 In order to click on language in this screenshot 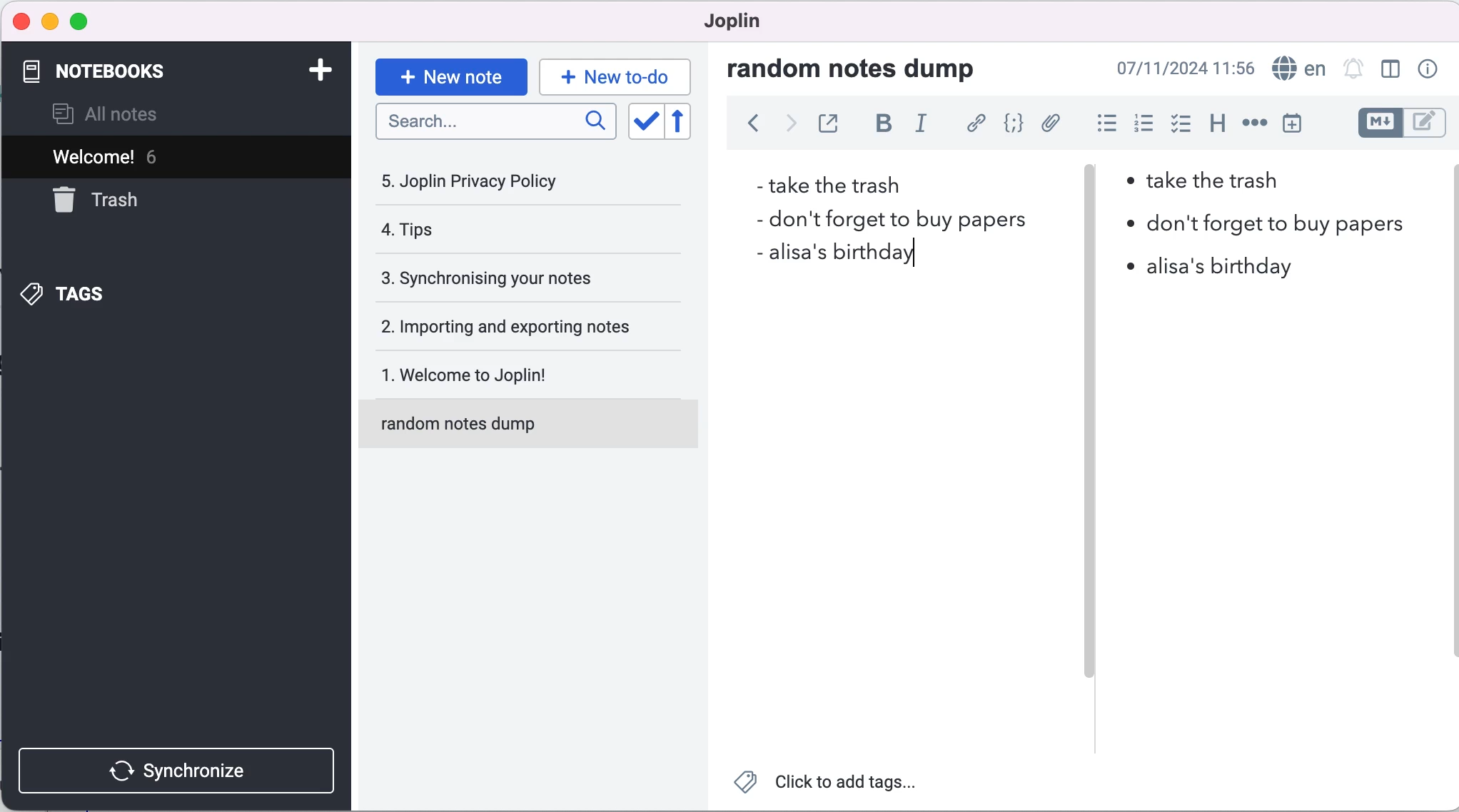, I will do `click(1298, 67)`.